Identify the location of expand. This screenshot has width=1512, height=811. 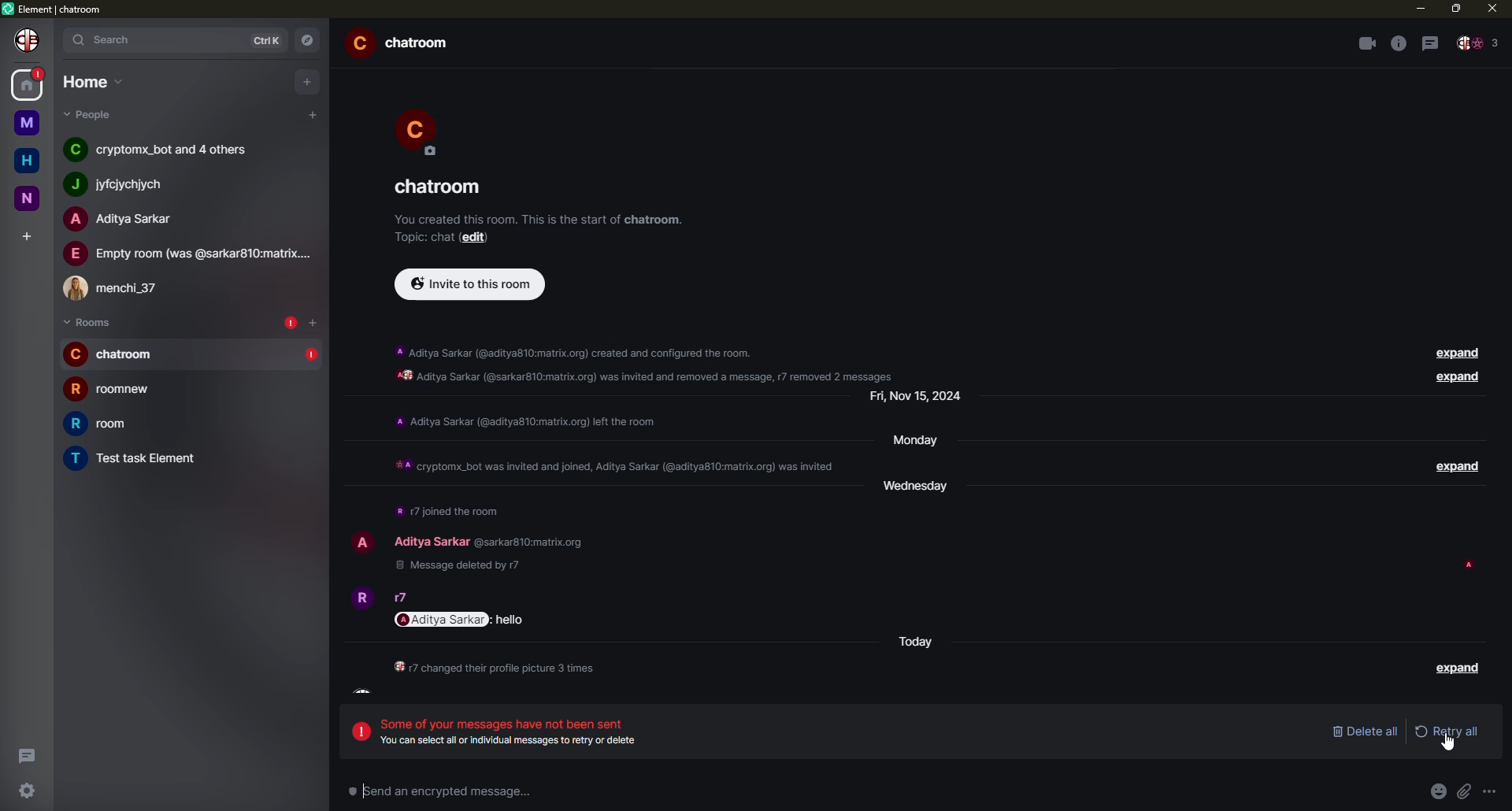
(1461, 466).